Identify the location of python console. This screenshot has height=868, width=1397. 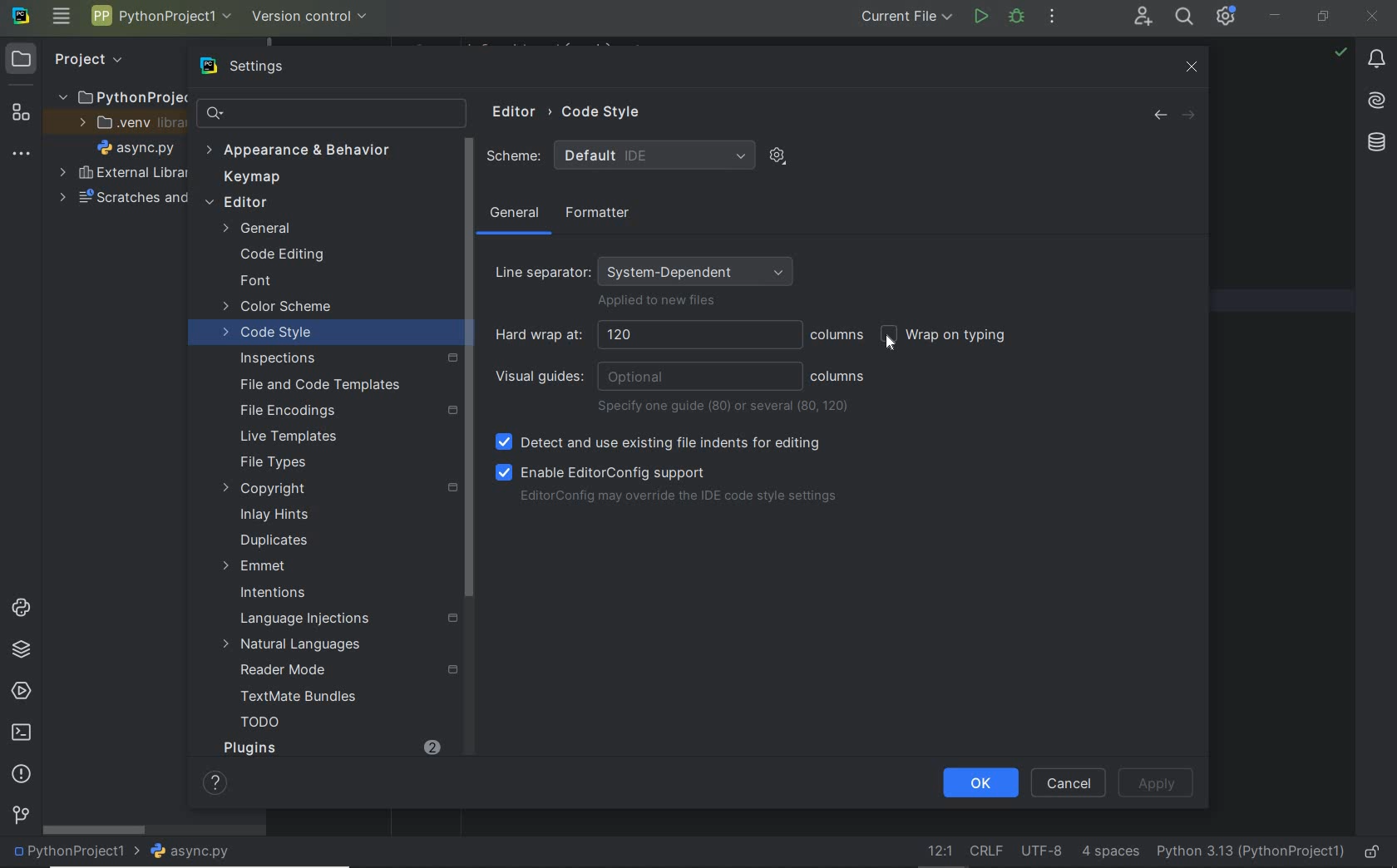
(21, 609).